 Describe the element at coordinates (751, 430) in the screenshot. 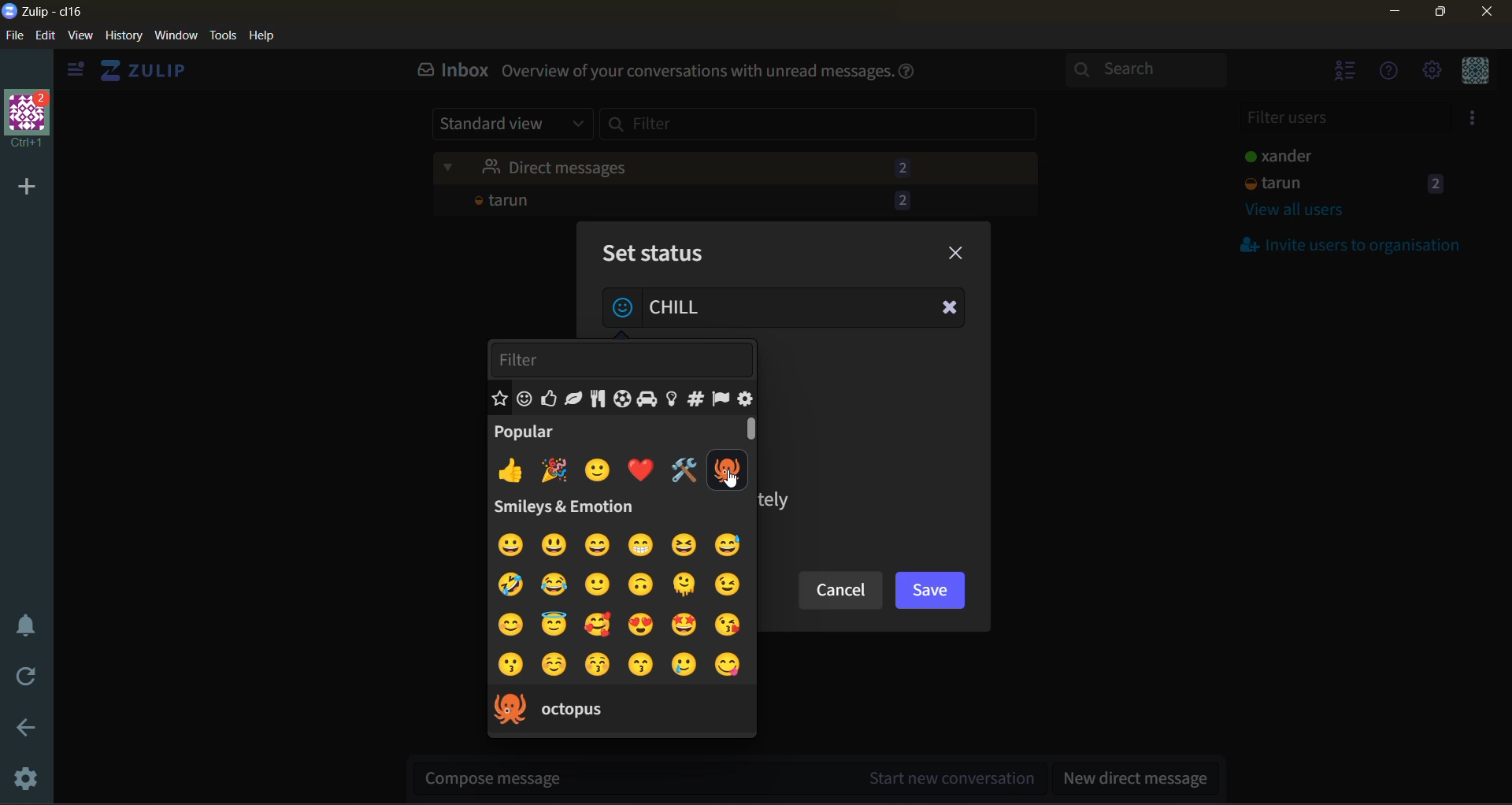

I see `Scroll Bar` at that location.